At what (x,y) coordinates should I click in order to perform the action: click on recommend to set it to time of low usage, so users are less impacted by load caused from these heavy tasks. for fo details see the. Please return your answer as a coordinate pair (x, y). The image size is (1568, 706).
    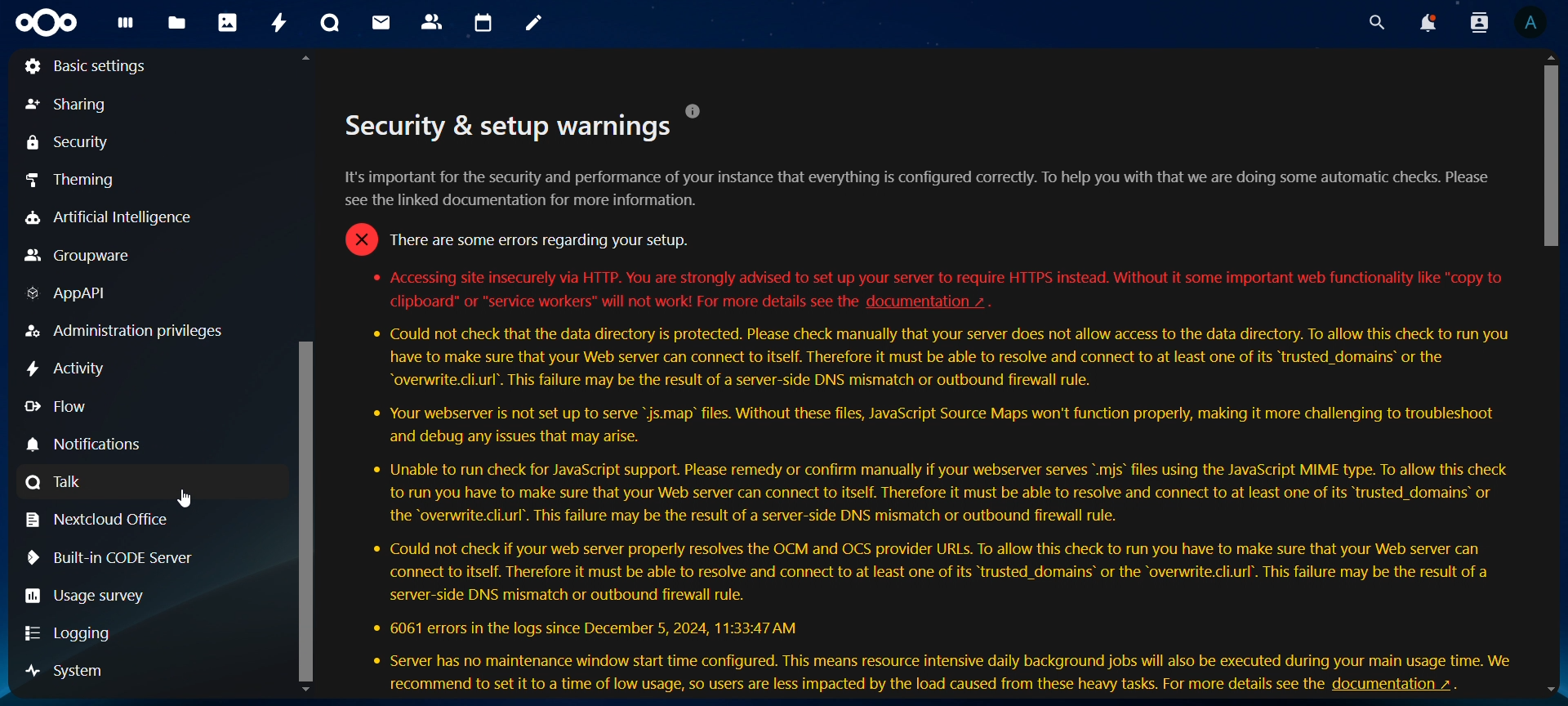
    Looking at the image, I should click on (852, 683).